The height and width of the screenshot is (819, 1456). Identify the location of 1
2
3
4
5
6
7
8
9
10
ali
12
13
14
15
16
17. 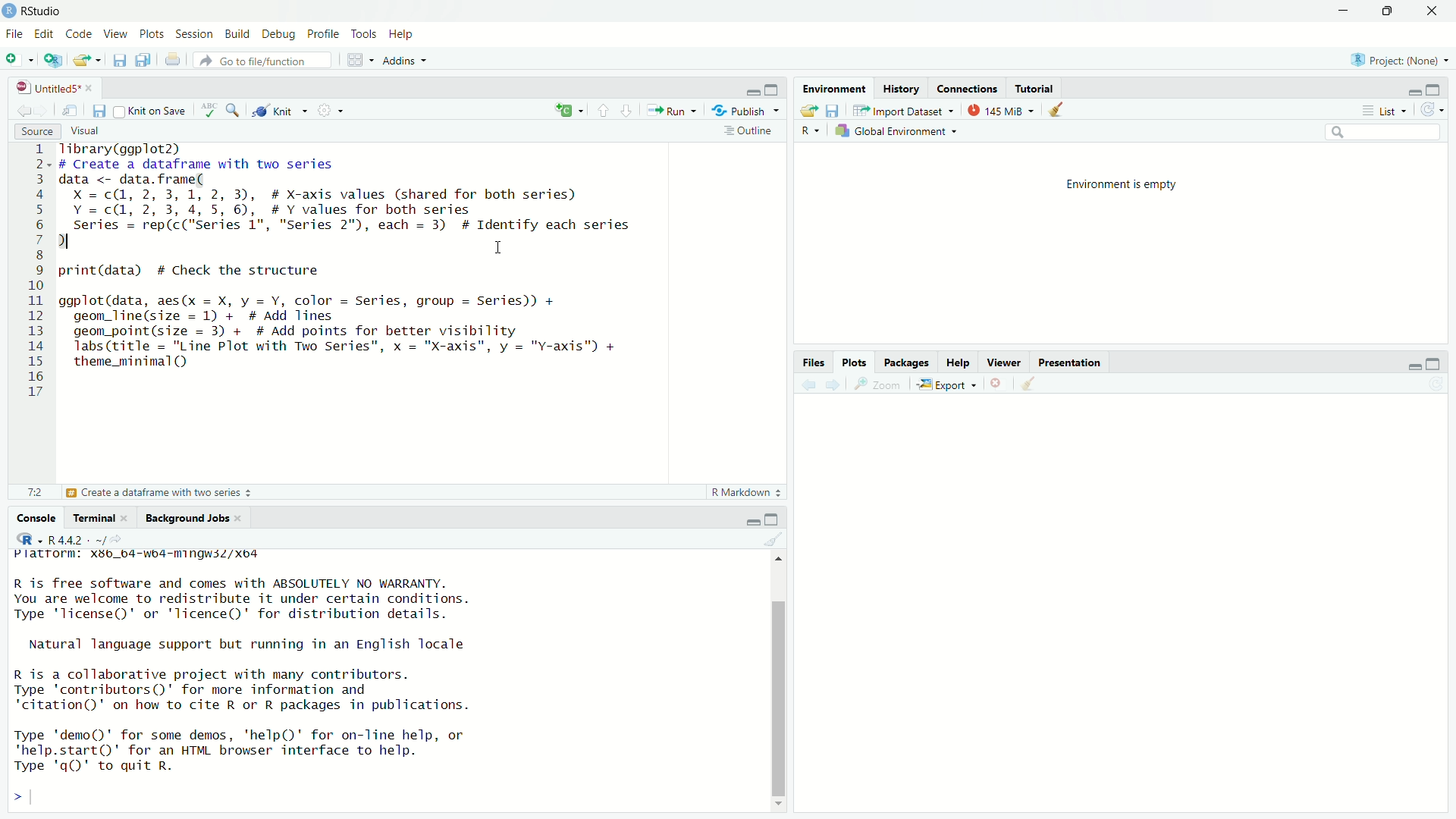
(38, 275).